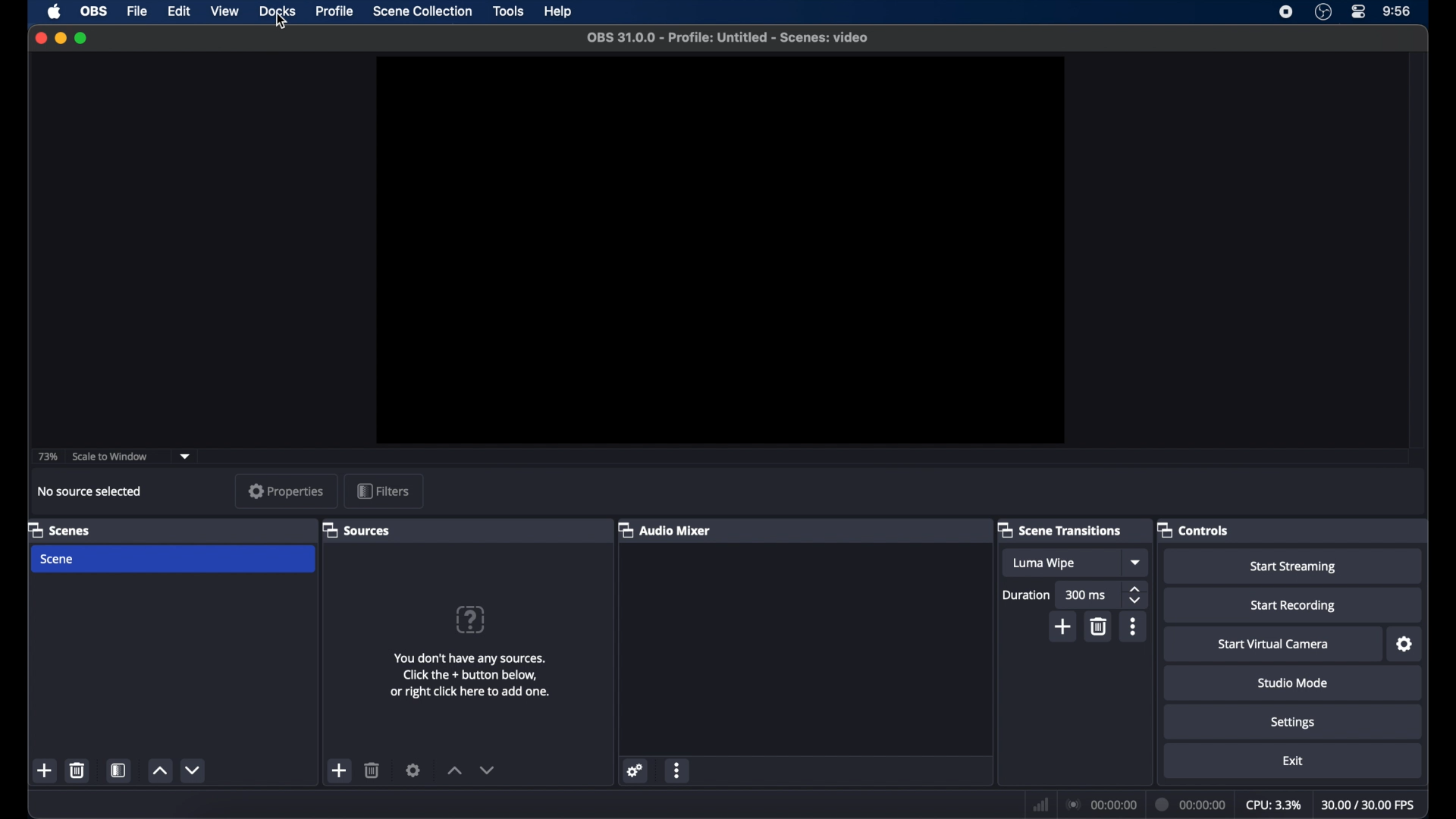 The height and width of the screenshot is (819, 1456). I want to click on delete, so click(1097, 626).